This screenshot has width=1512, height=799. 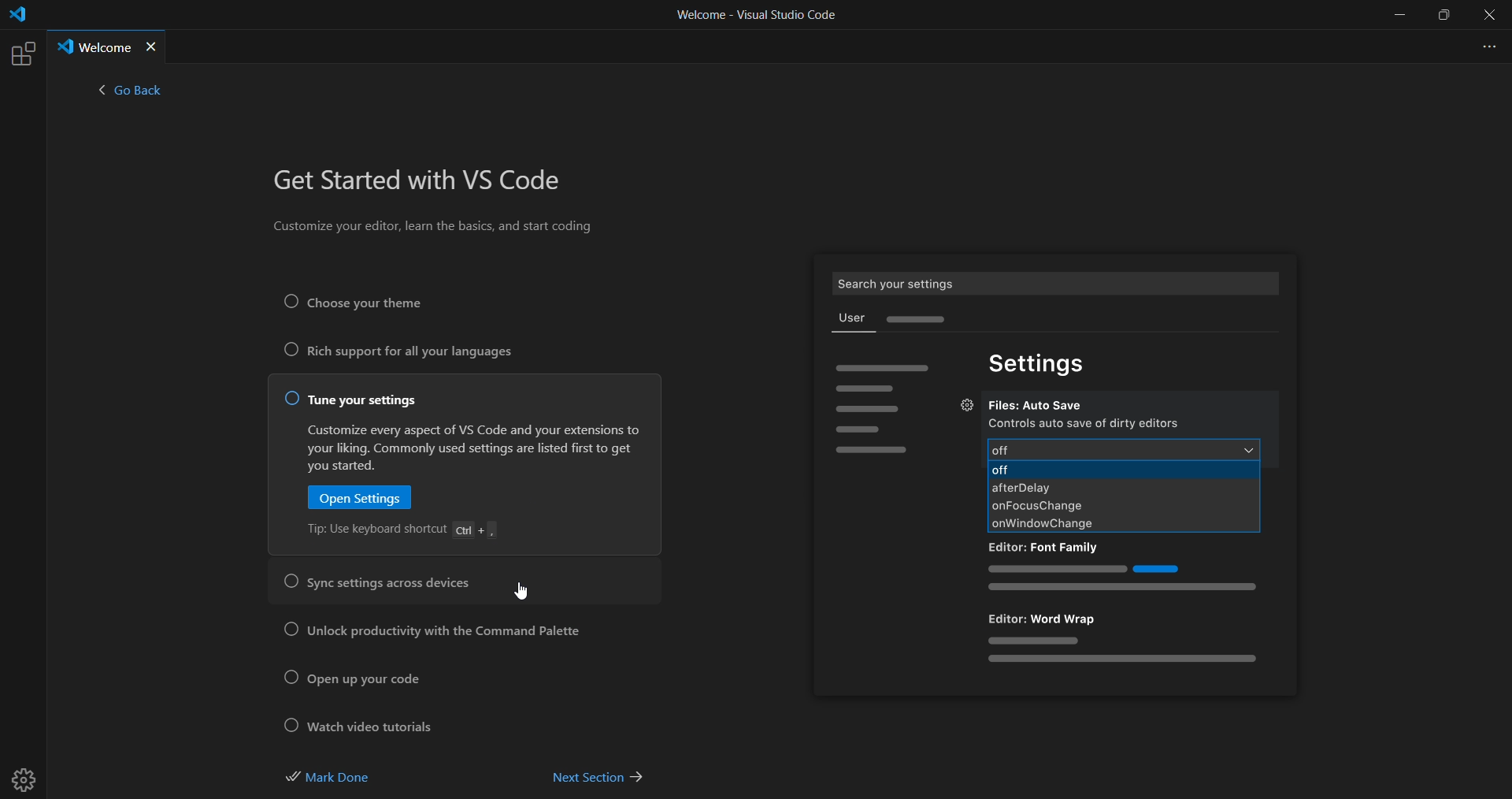 What do you see at coordinates (436, 229) in the screenshot?
I see `Customize your editor, learn the basics, and start coding` at bounding box center [436, 229].